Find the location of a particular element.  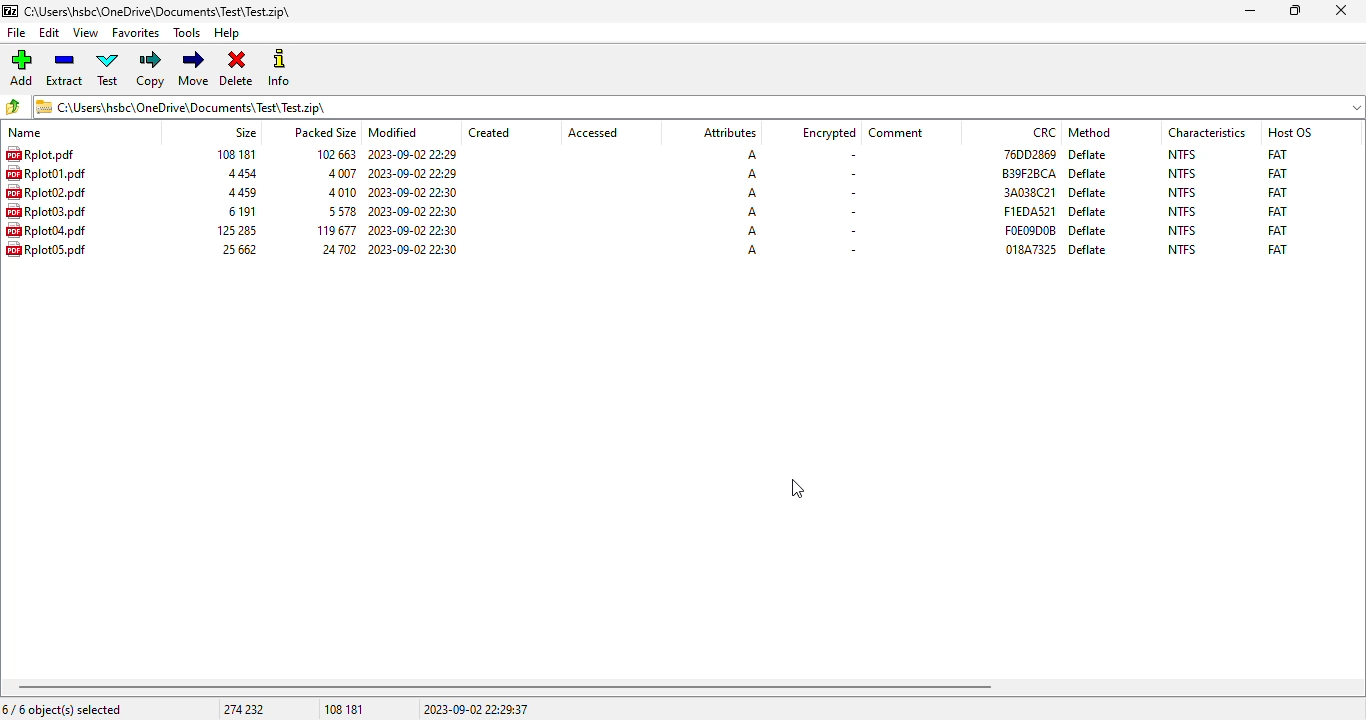

packed size is located at coordinates (335, 249).